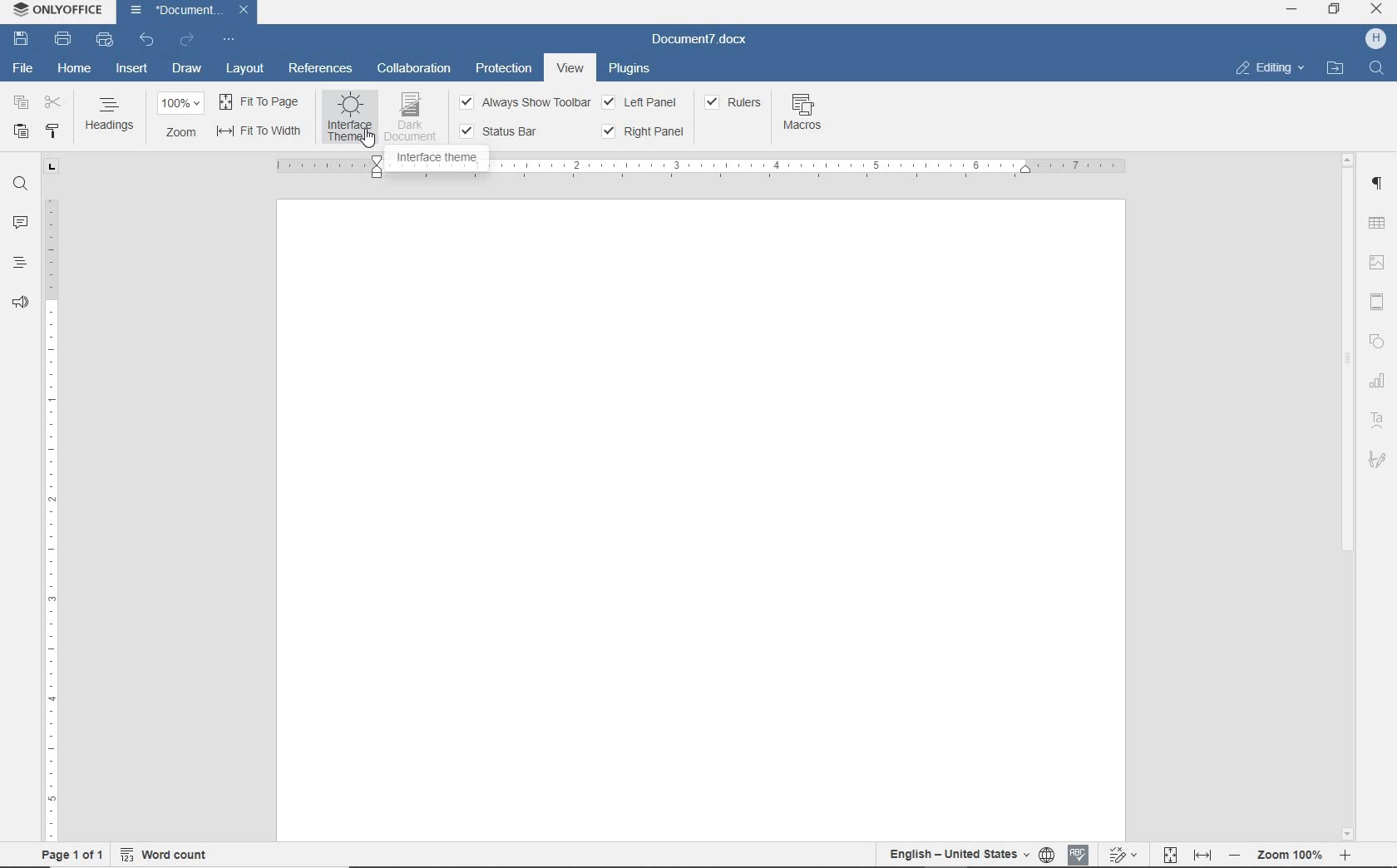 The image size is (1397, 868). I want to click on SHAPE, so click(1377, 343).